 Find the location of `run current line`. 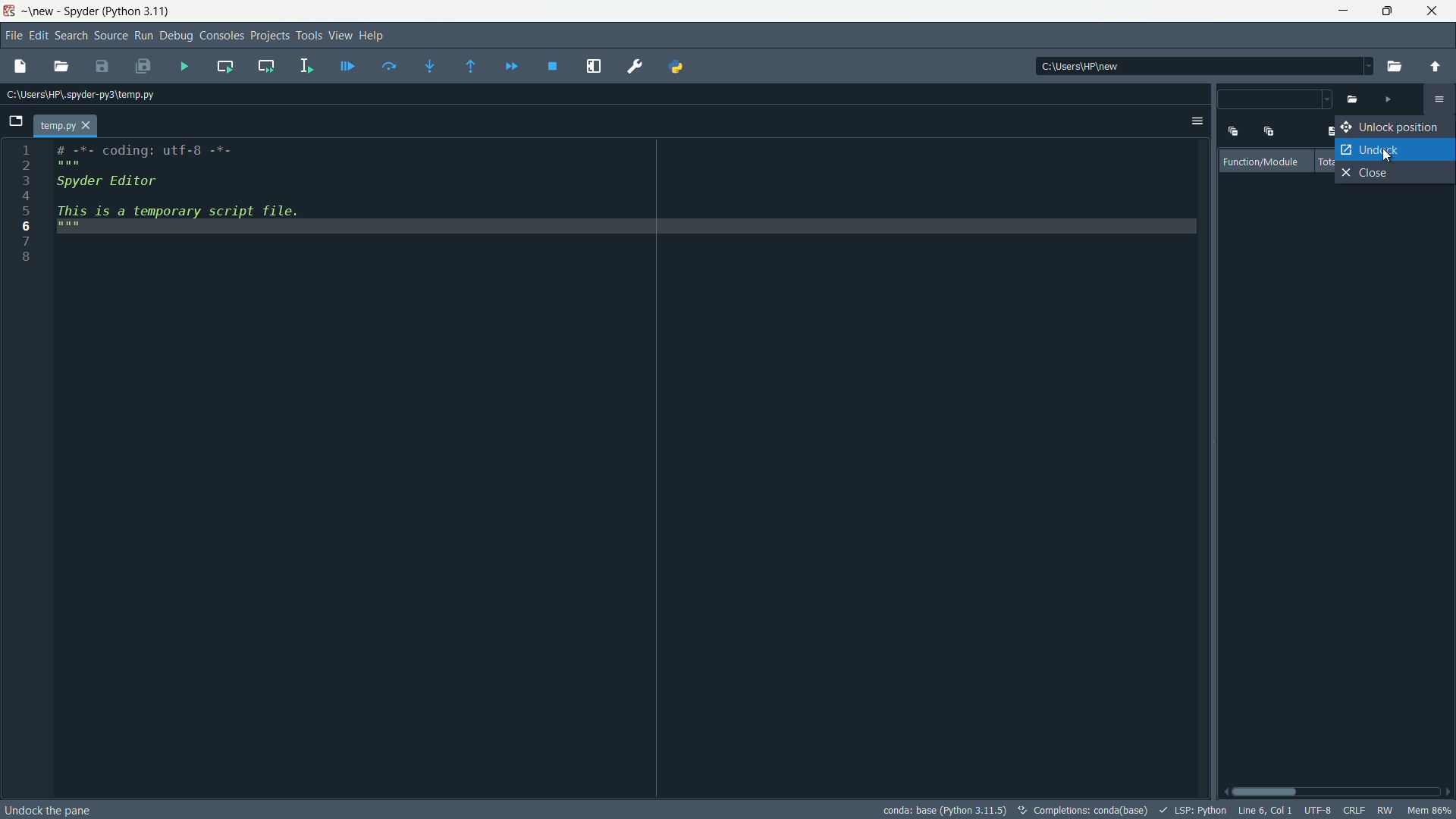

run current line is located at coordinates (390, 67).